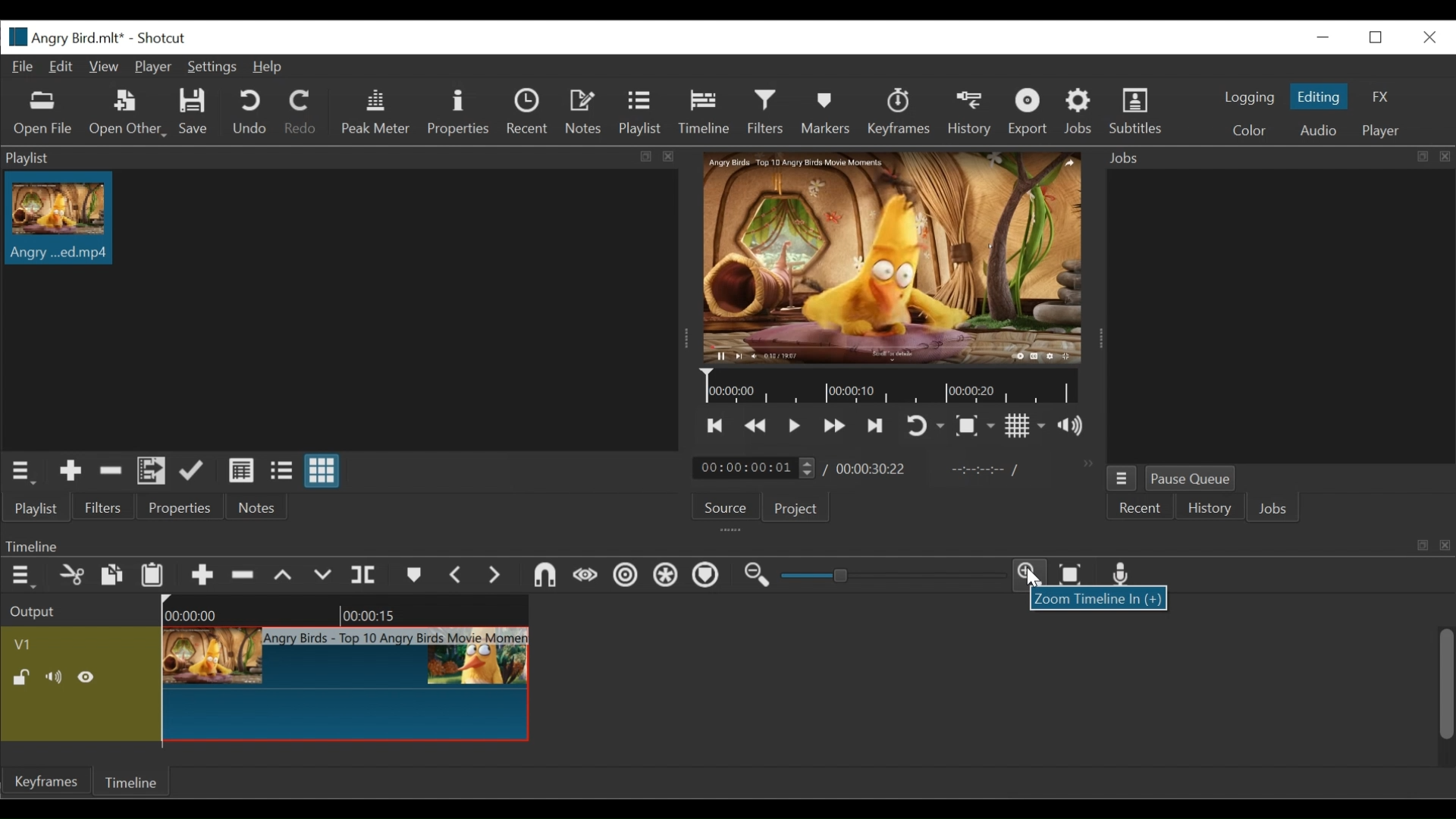 This screenshot has width=1456, height=819. Describe the element at coordinates (457, 576) in the screenshot. I see `Previous marker` at that location.